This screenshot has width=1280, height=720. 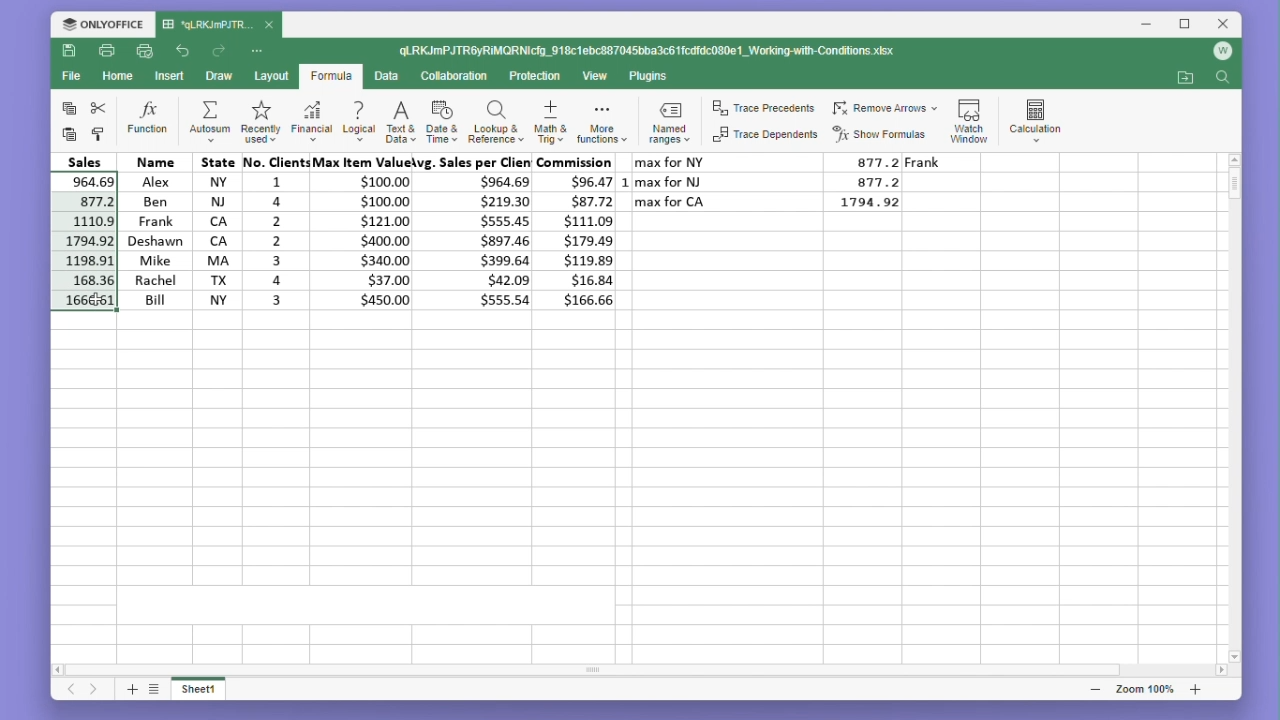 I want to click on Save , so click(x=68, y=50).